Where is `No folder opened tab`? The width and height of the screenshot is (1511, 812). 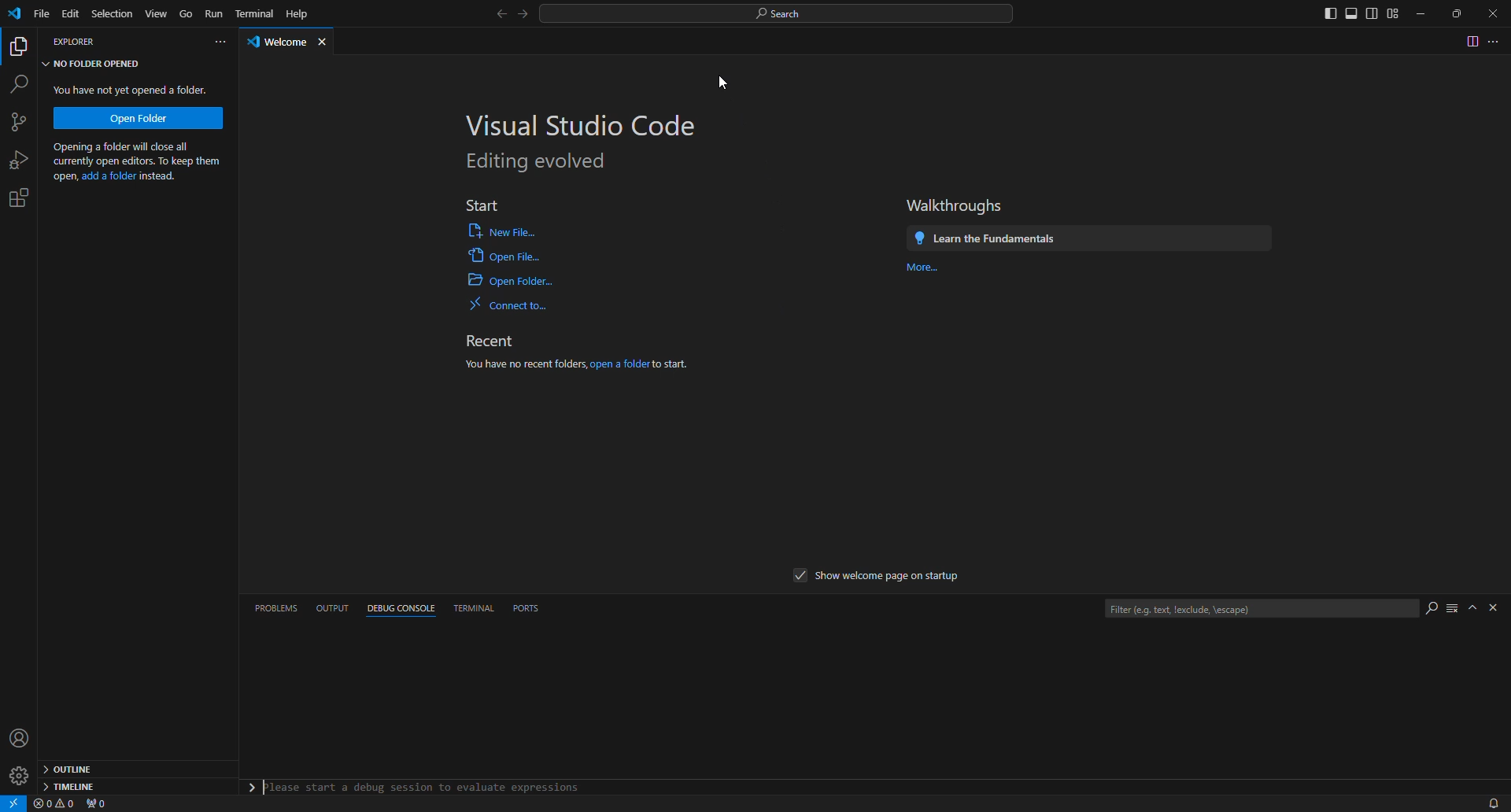
No folder opened tab is located at coordinates (96, 65).